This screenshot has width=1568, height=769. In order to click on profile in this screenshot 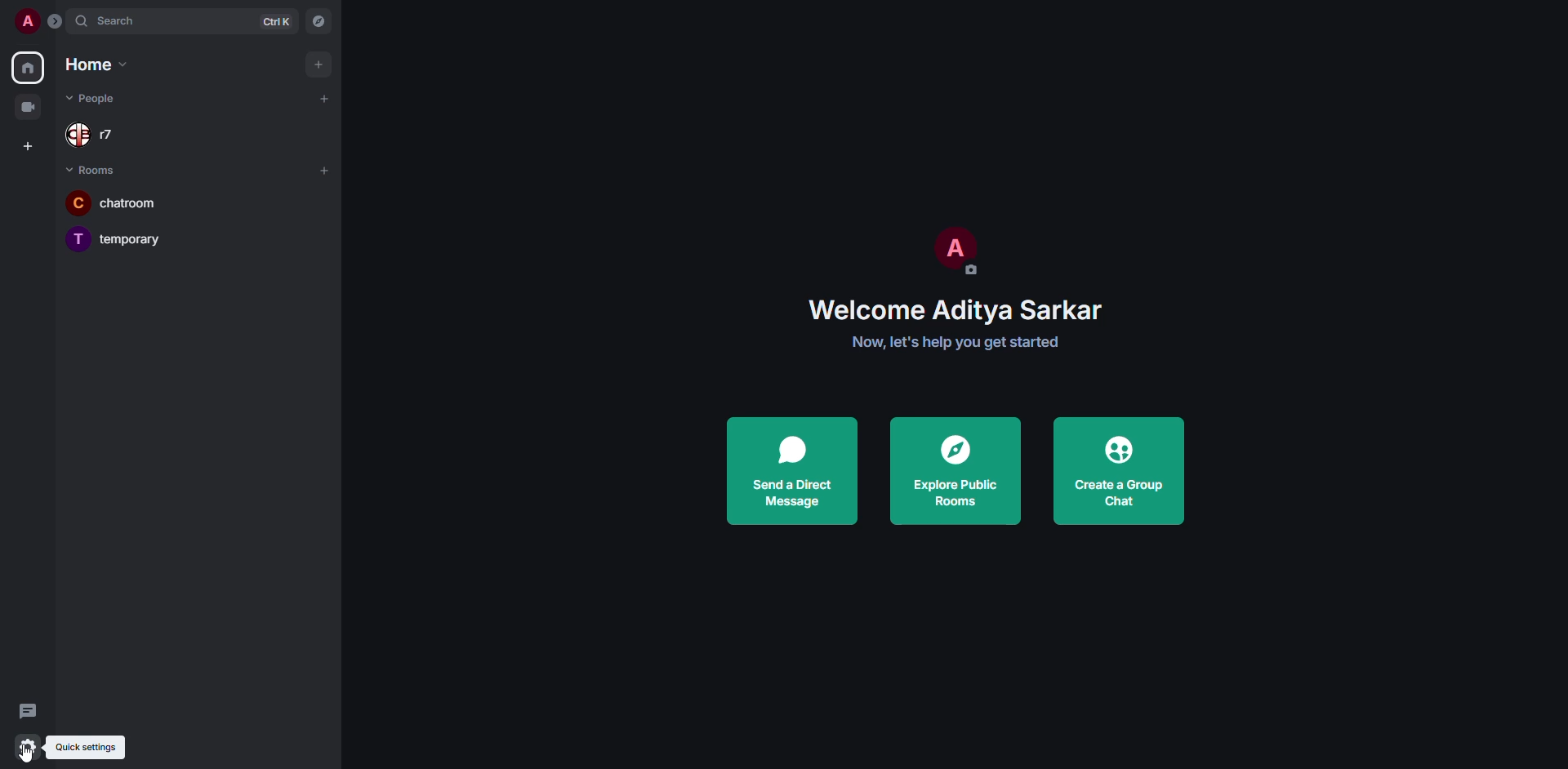, I will do `click(30, 21)`.